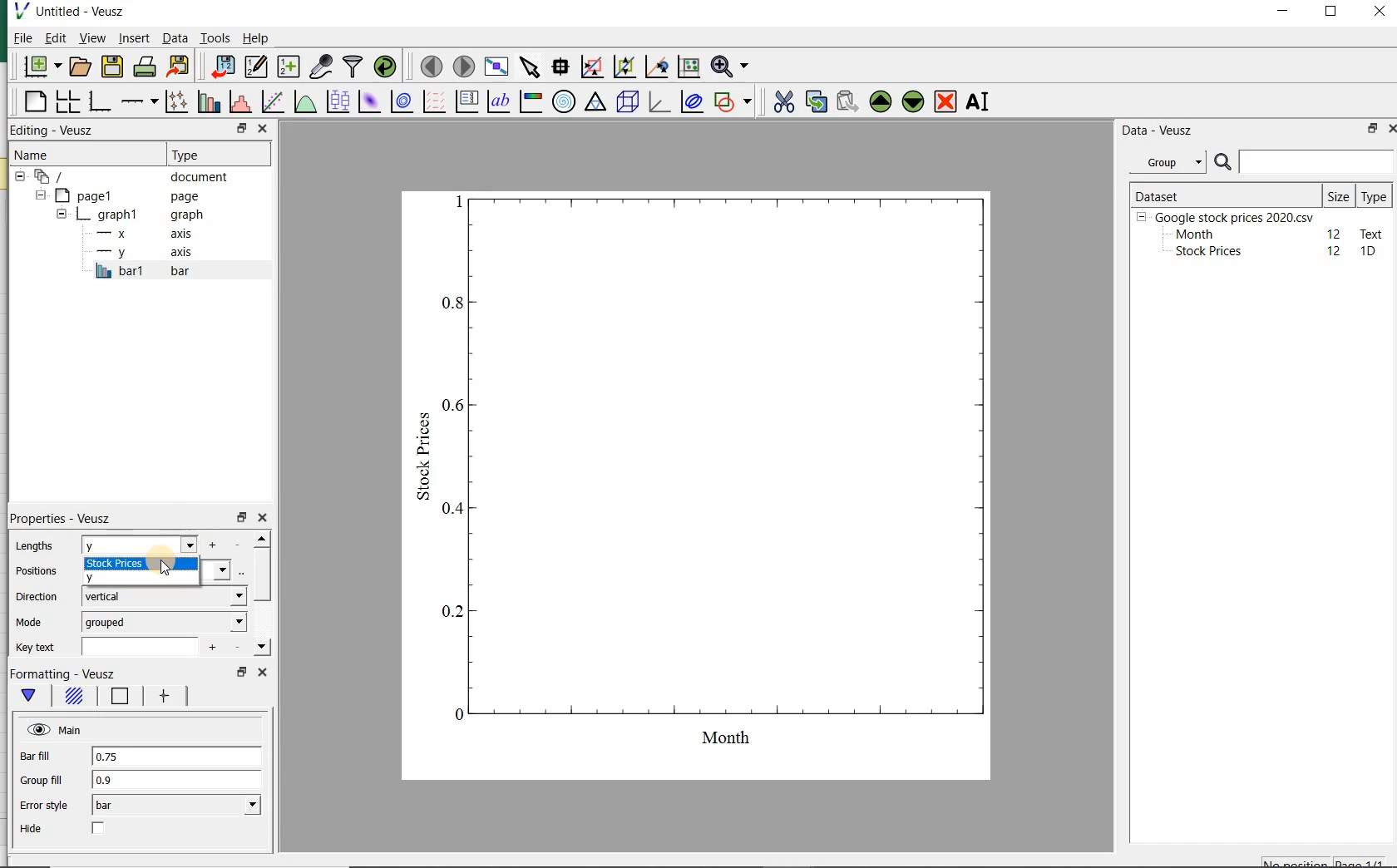  I want to click on Tools, so click(215, 38).